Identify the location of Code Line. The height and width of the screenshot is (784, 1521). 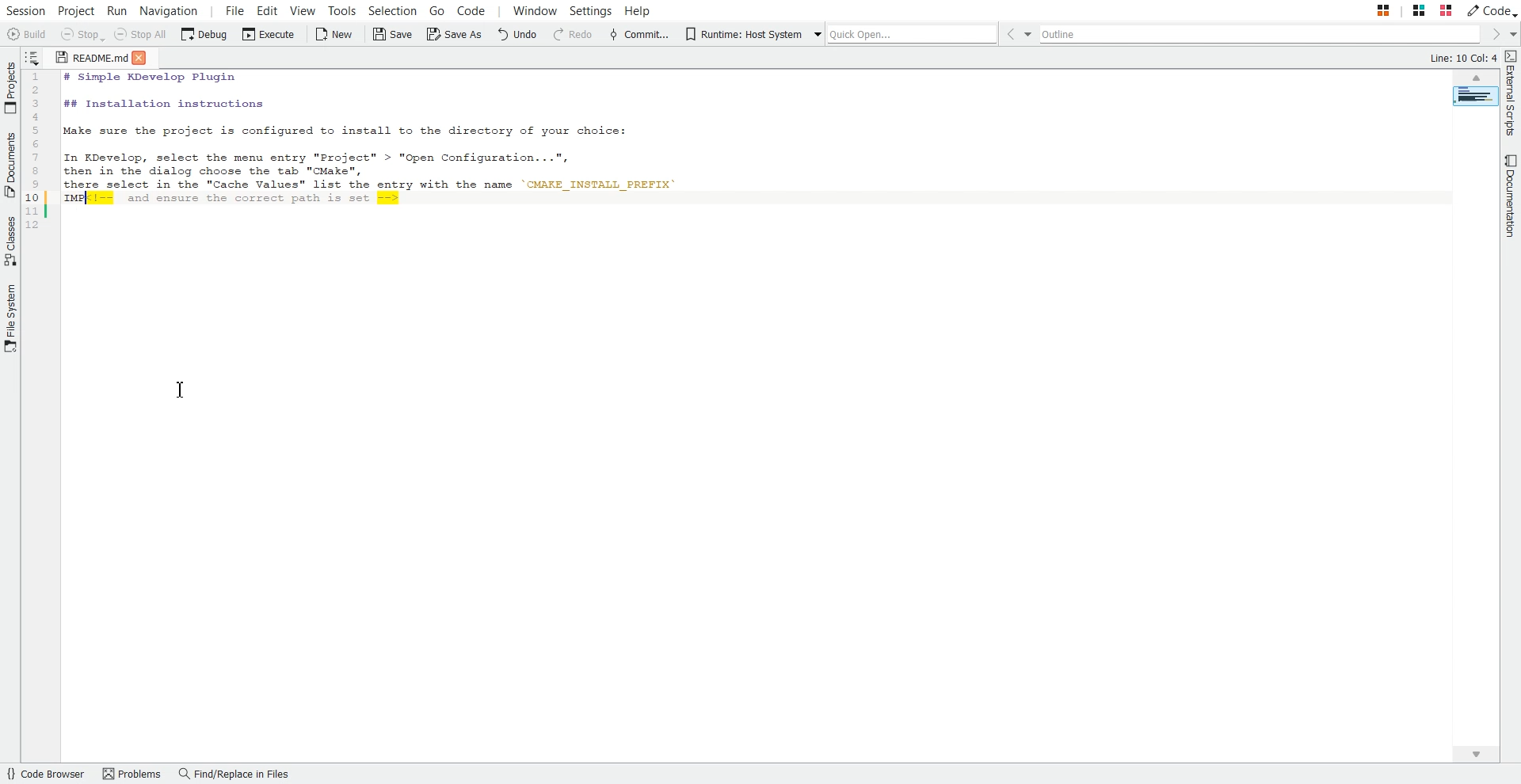
(36, 152).